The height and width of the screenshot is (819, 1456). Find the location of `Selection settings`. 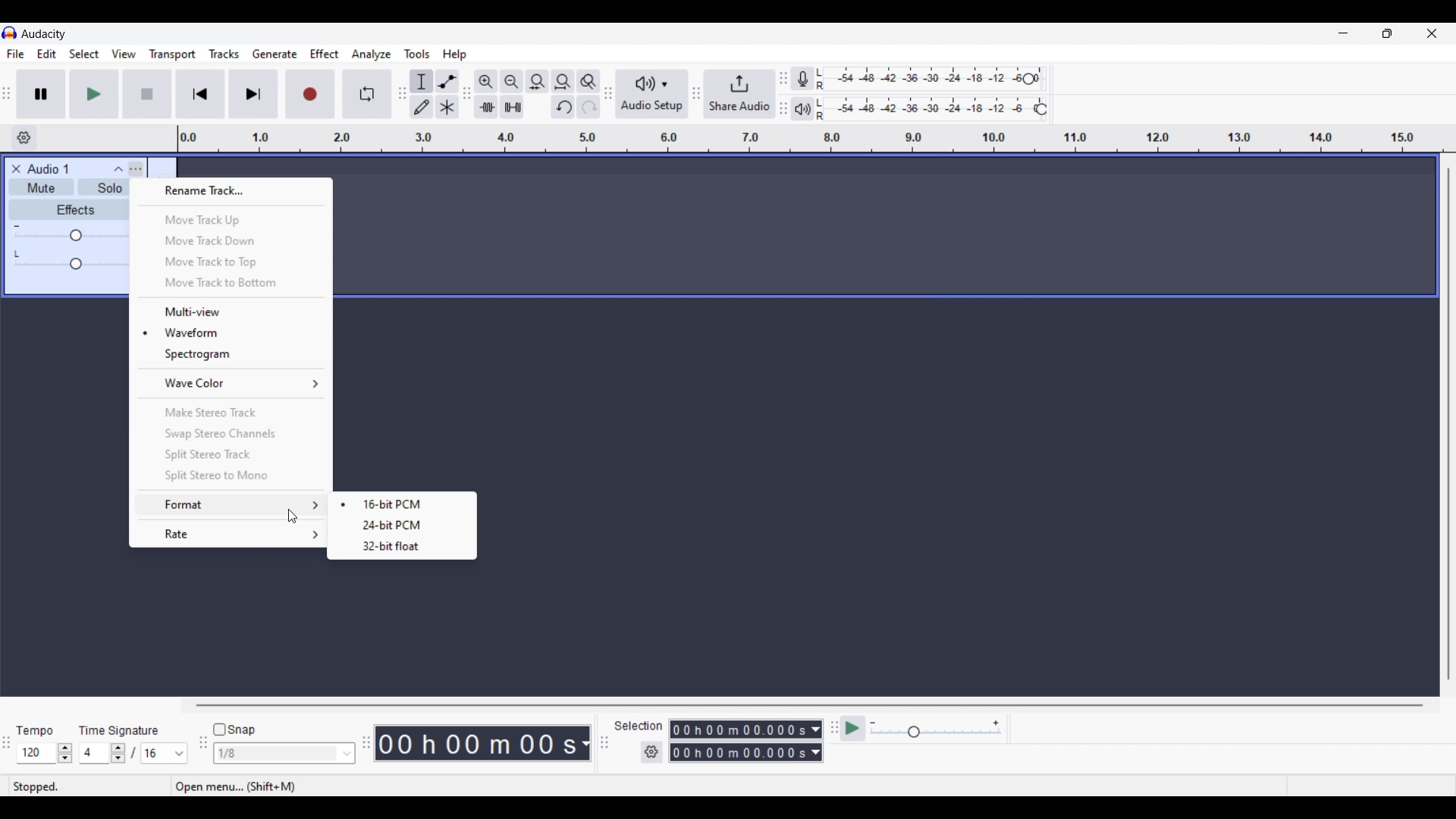

Selection settings is located at coordinates (652, 752).